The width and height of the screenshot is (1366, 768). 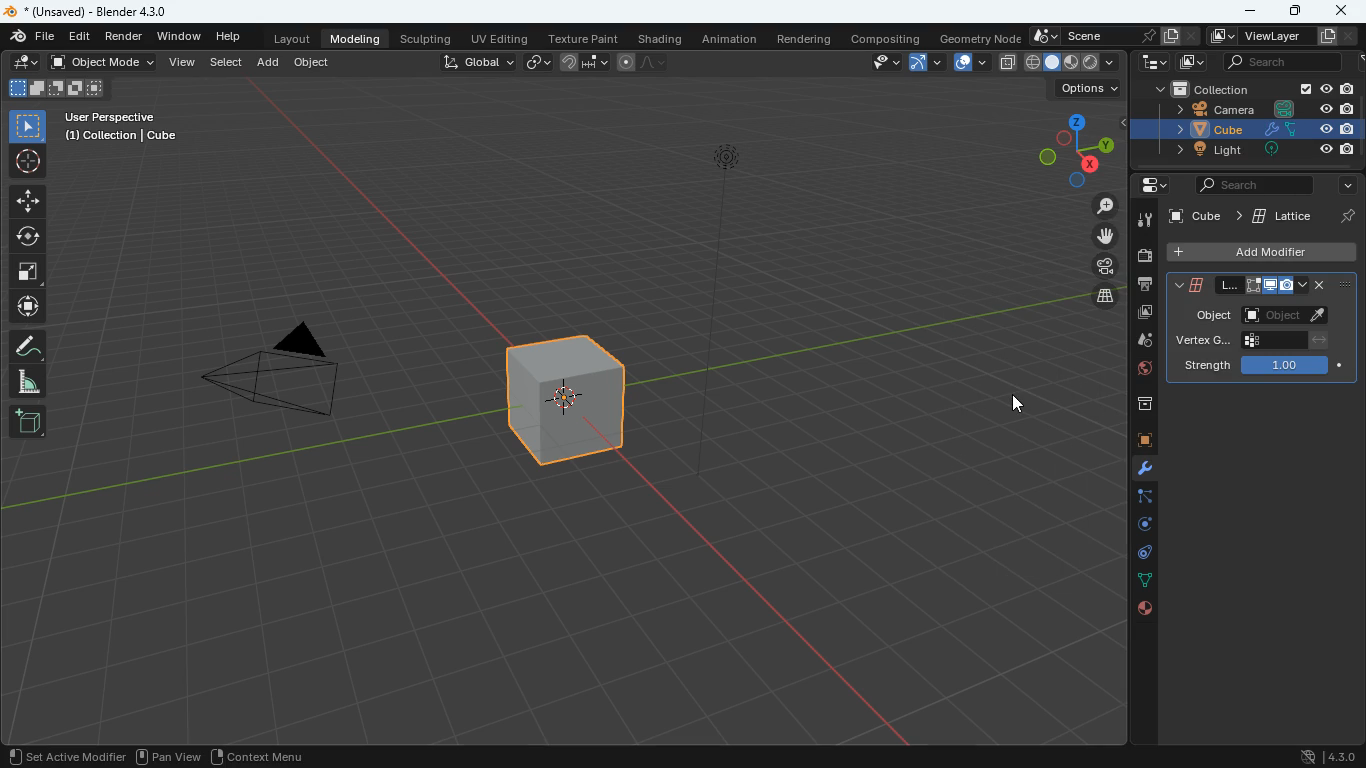 What do you see at coordinates (55, 87) in the screenshot?
I see `image size` at bounding box center [55, 87].